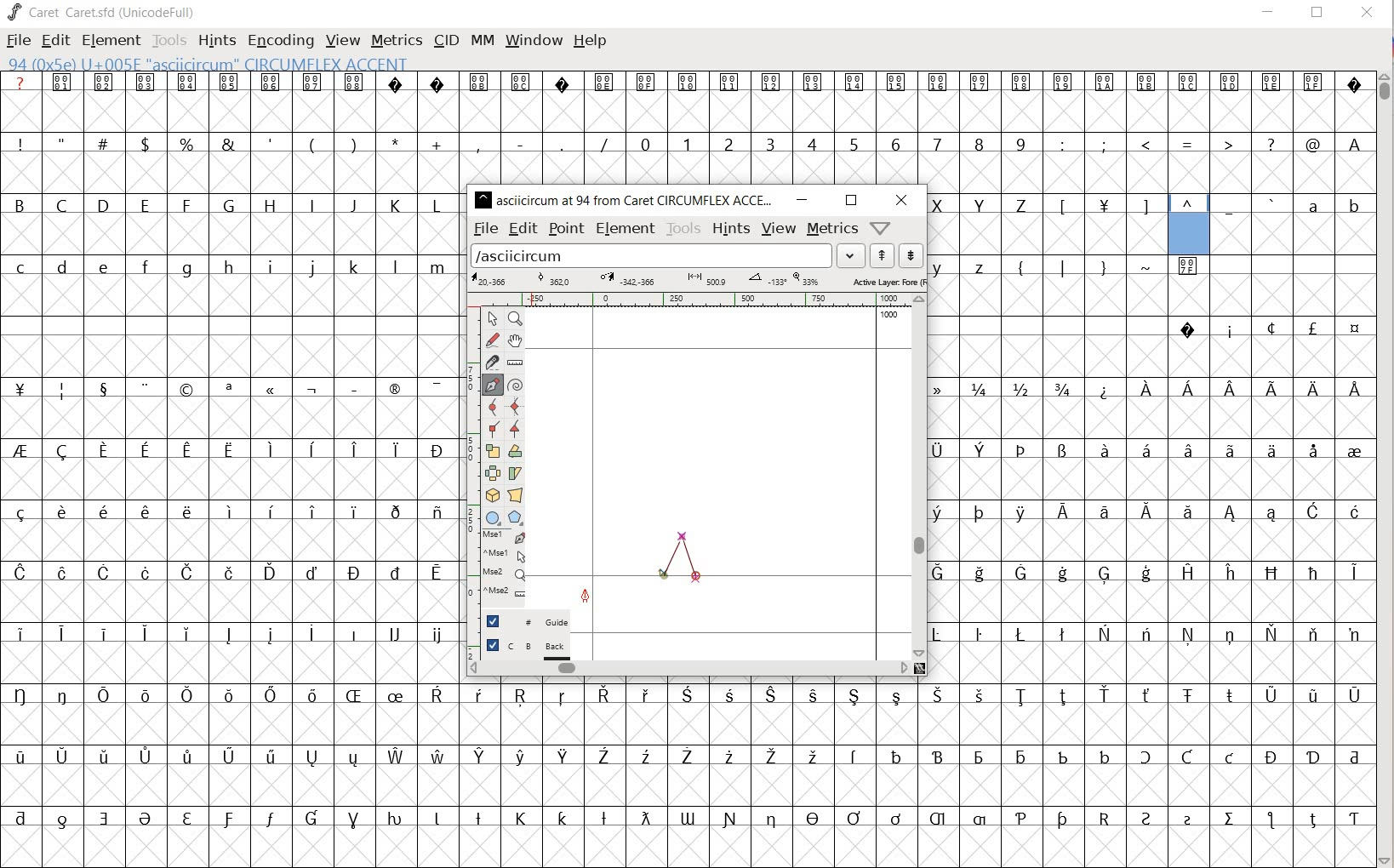 The width and height of the screenshot is (1394, 868). Describe the element at coordinates (17, 42) in the screenshot. I see `FILE` at that location.